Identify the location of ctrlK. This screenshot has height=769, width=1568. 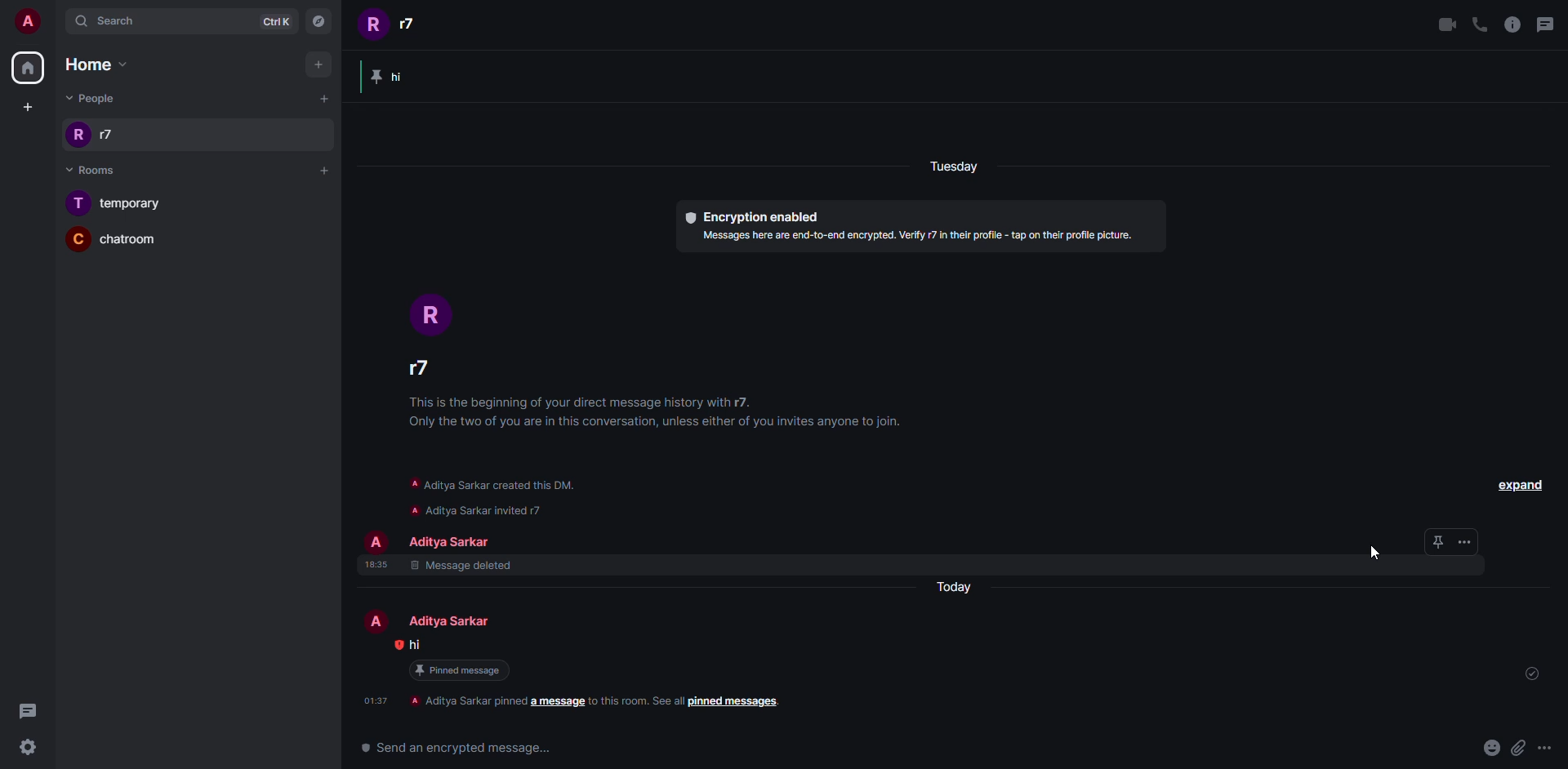
(274, 21).